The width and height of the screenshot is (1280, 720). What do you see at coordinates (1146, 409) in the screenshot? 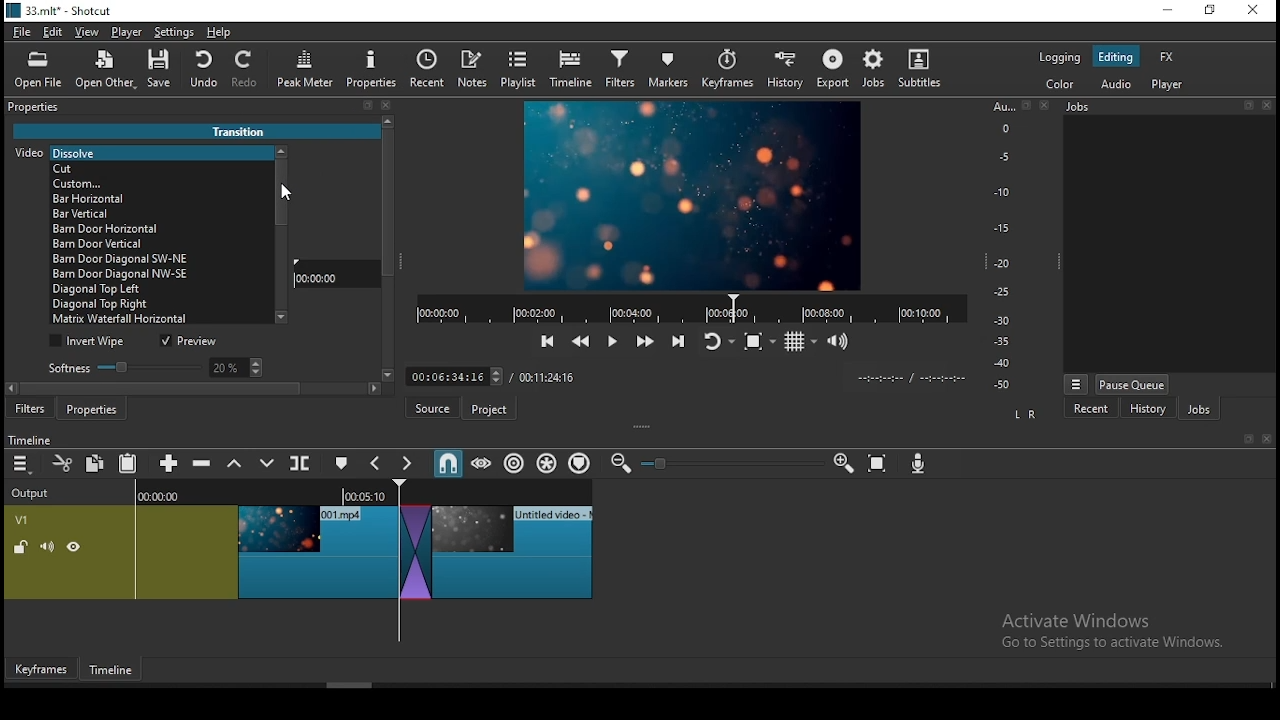
I see `history` at bounding box center [1146, 409].